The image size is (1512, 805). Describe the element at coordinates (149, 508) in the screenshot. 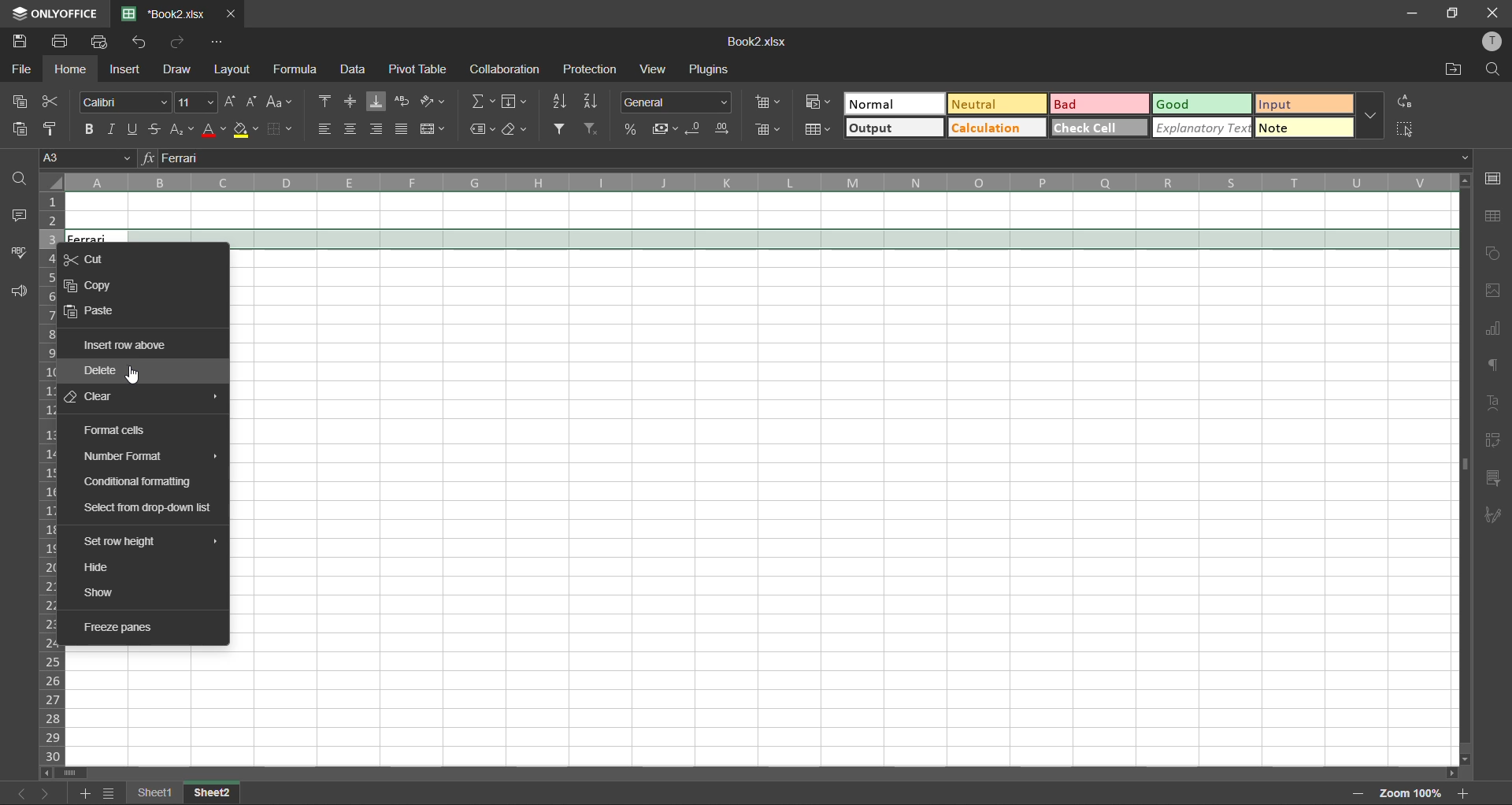

I see `select from drop down list` at that location.